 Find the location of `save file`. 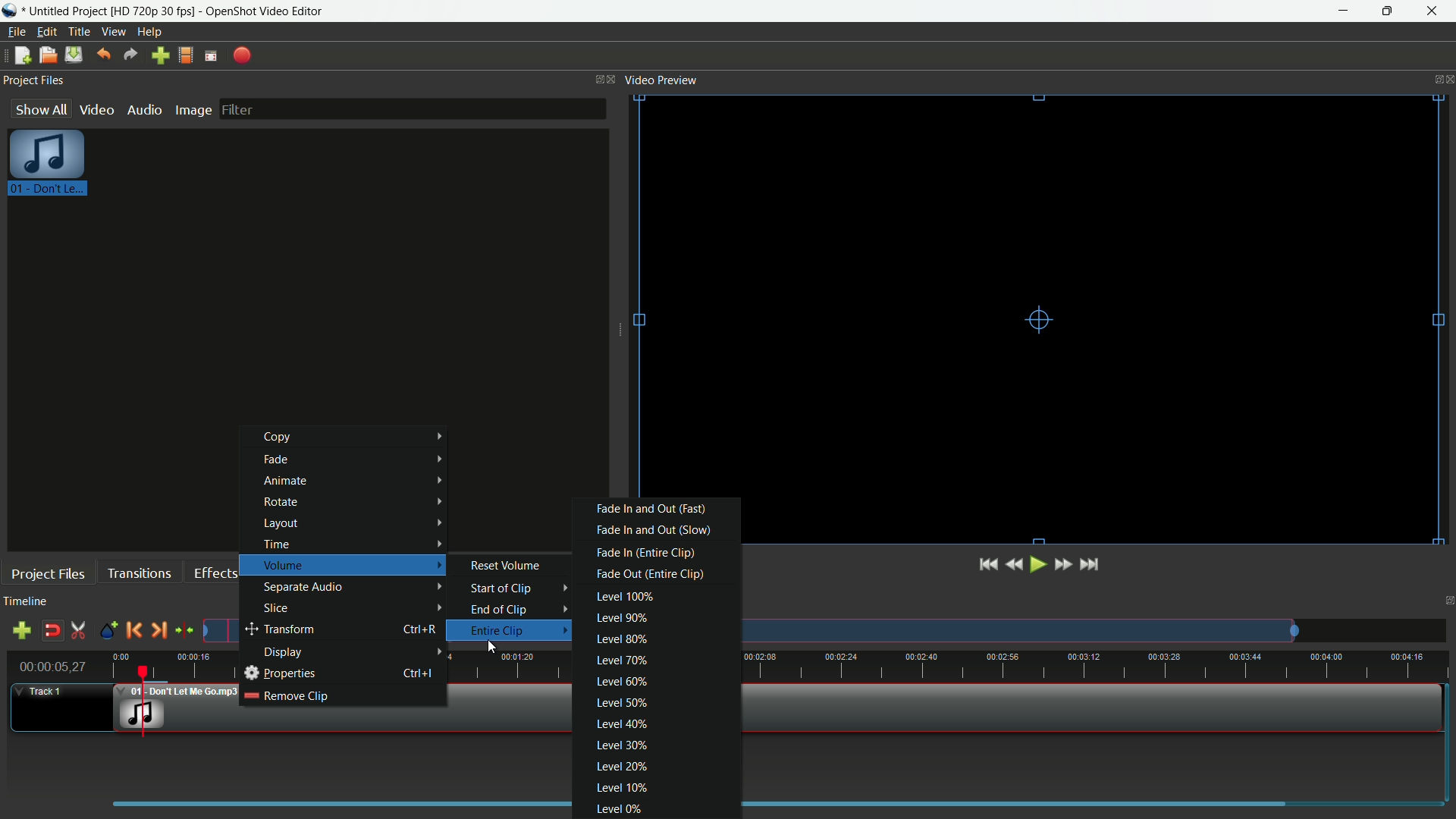

save file is located at coordinates (74, 55).